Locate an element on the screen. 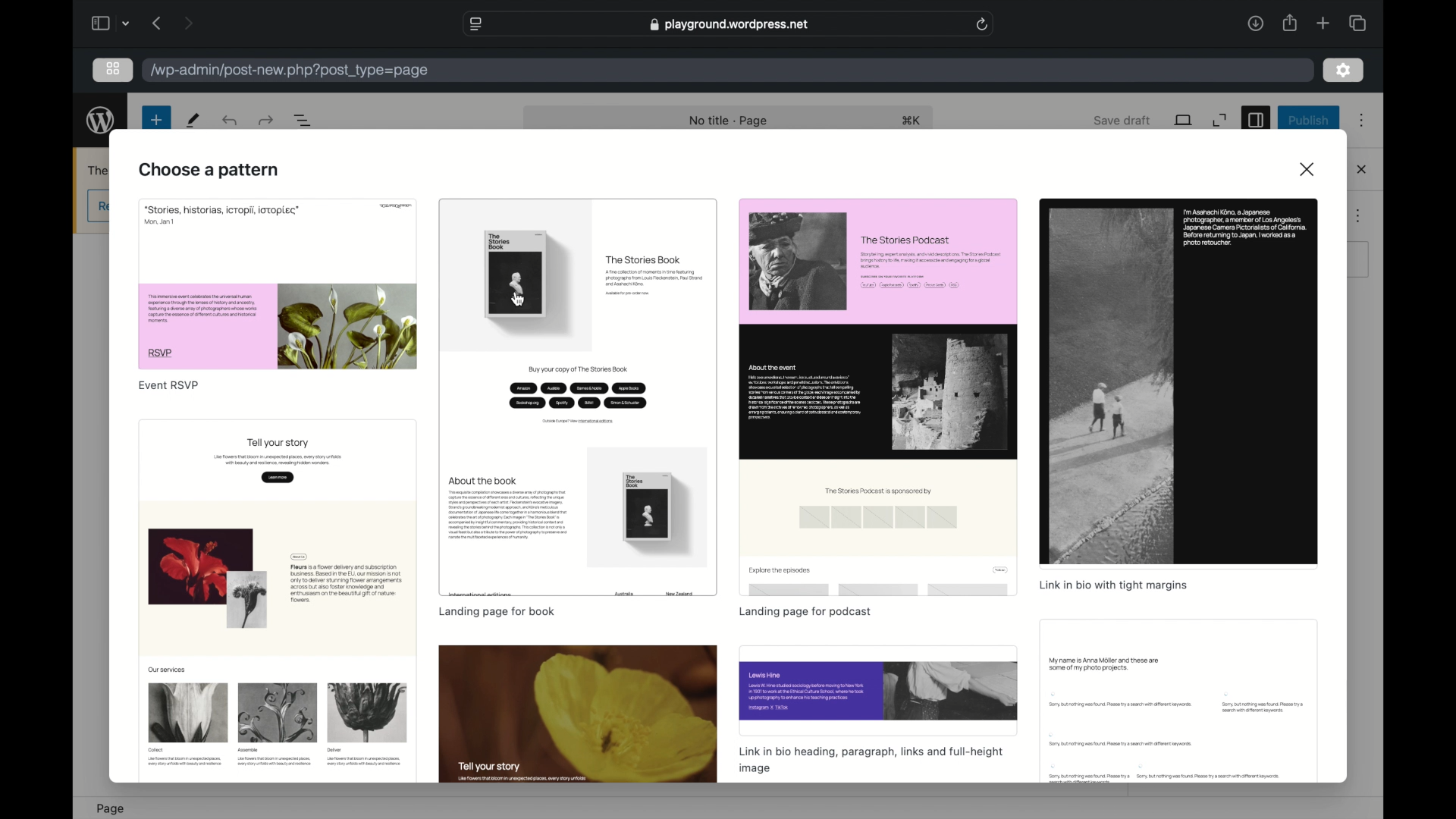 The image size is (1456, 819). save draft is located at coordinates (1124, 121).